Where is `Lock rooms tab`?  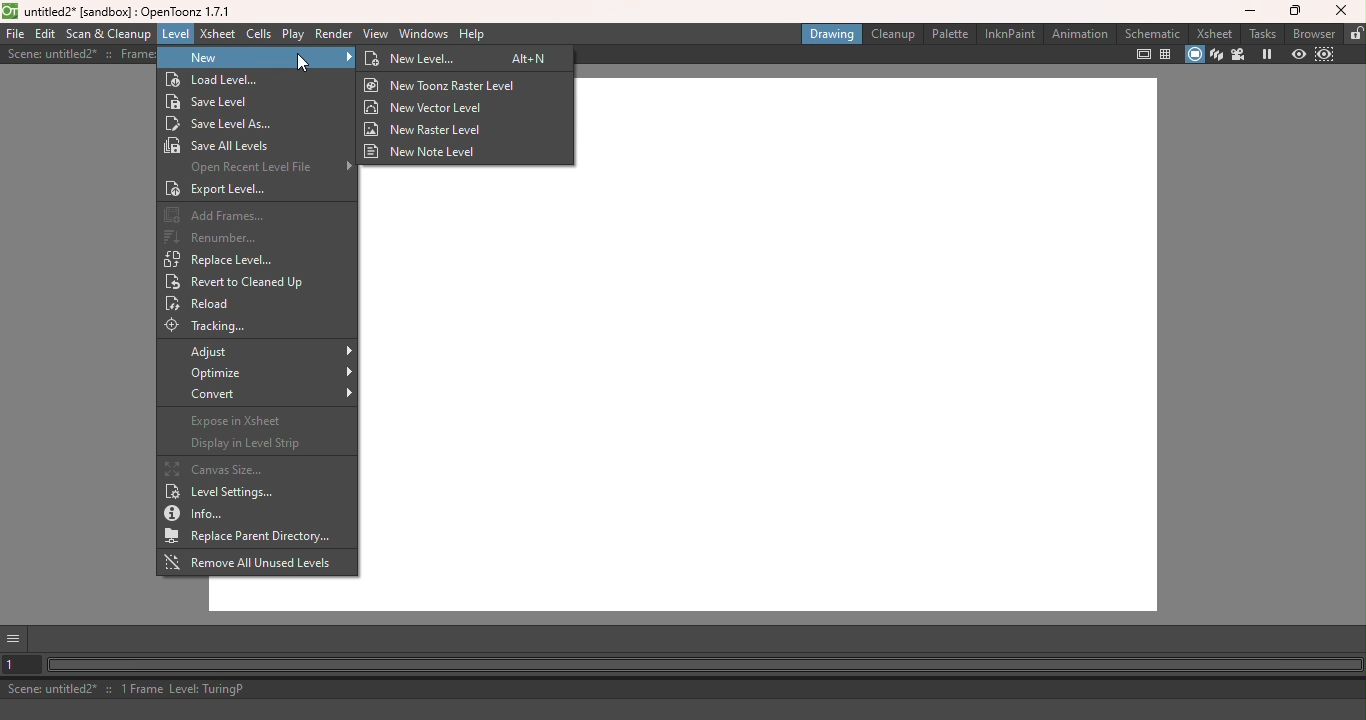 Lock rooms tab is located at coordinates (1355, 34).